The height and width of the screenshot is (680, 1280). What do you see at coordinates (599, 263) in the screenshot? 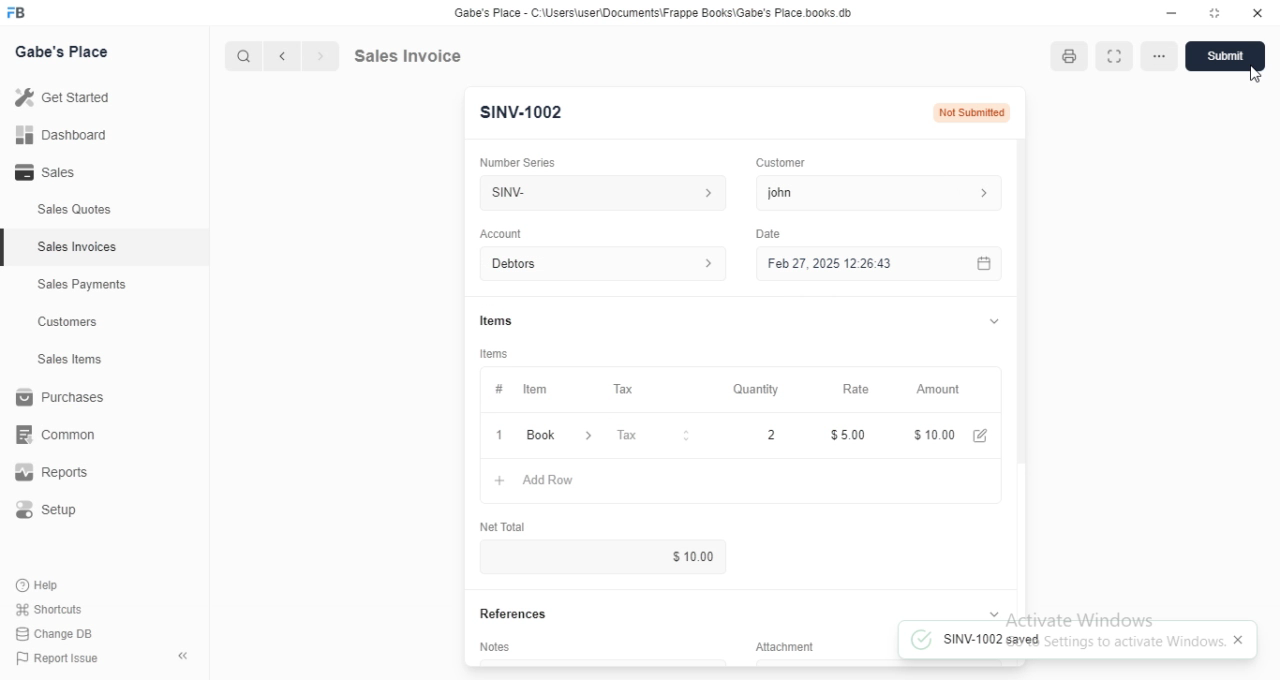
I see `Debtors >` at bounding box center [599, 263].